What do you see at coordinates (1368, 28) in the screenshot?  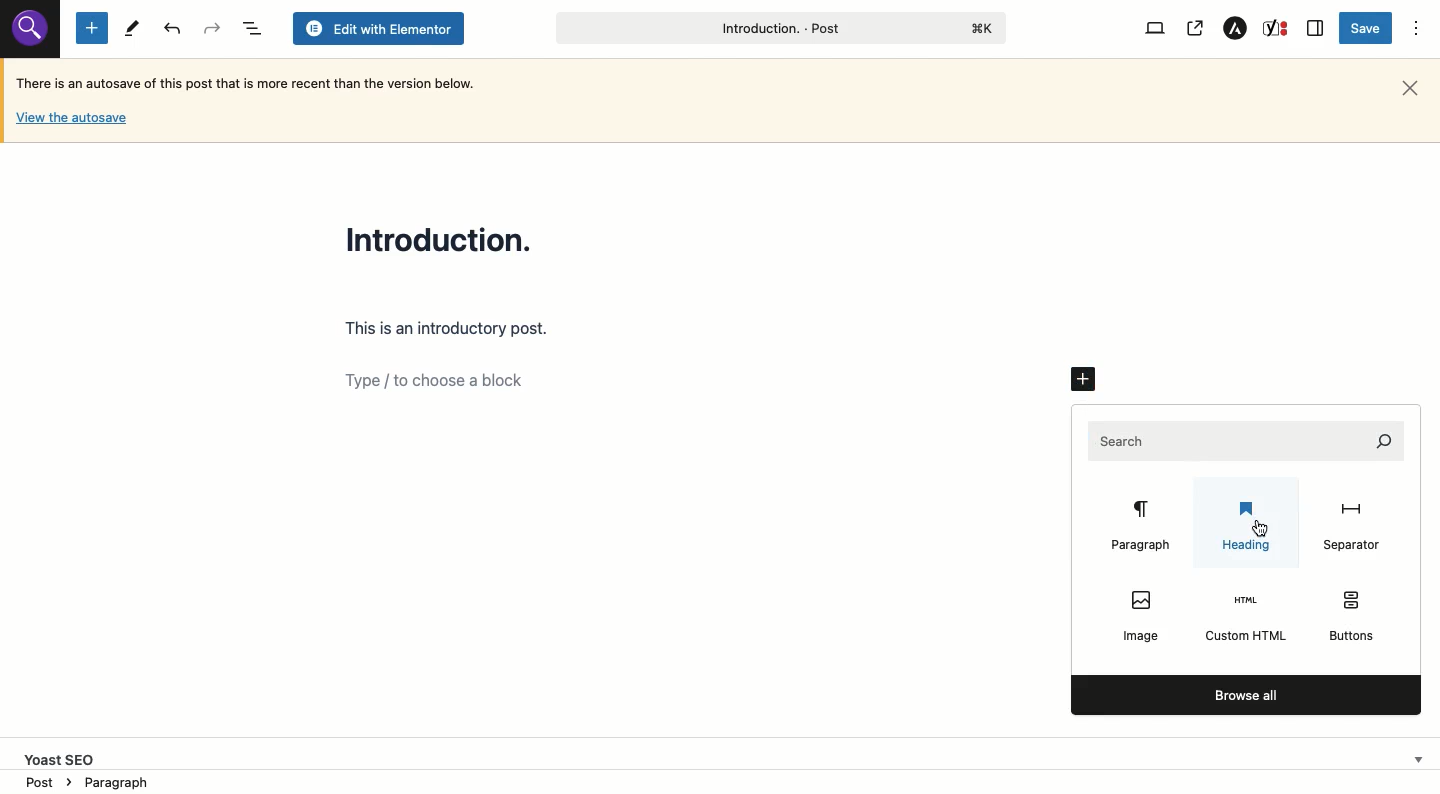 I see `Save` at bounding box center [1368, 28].